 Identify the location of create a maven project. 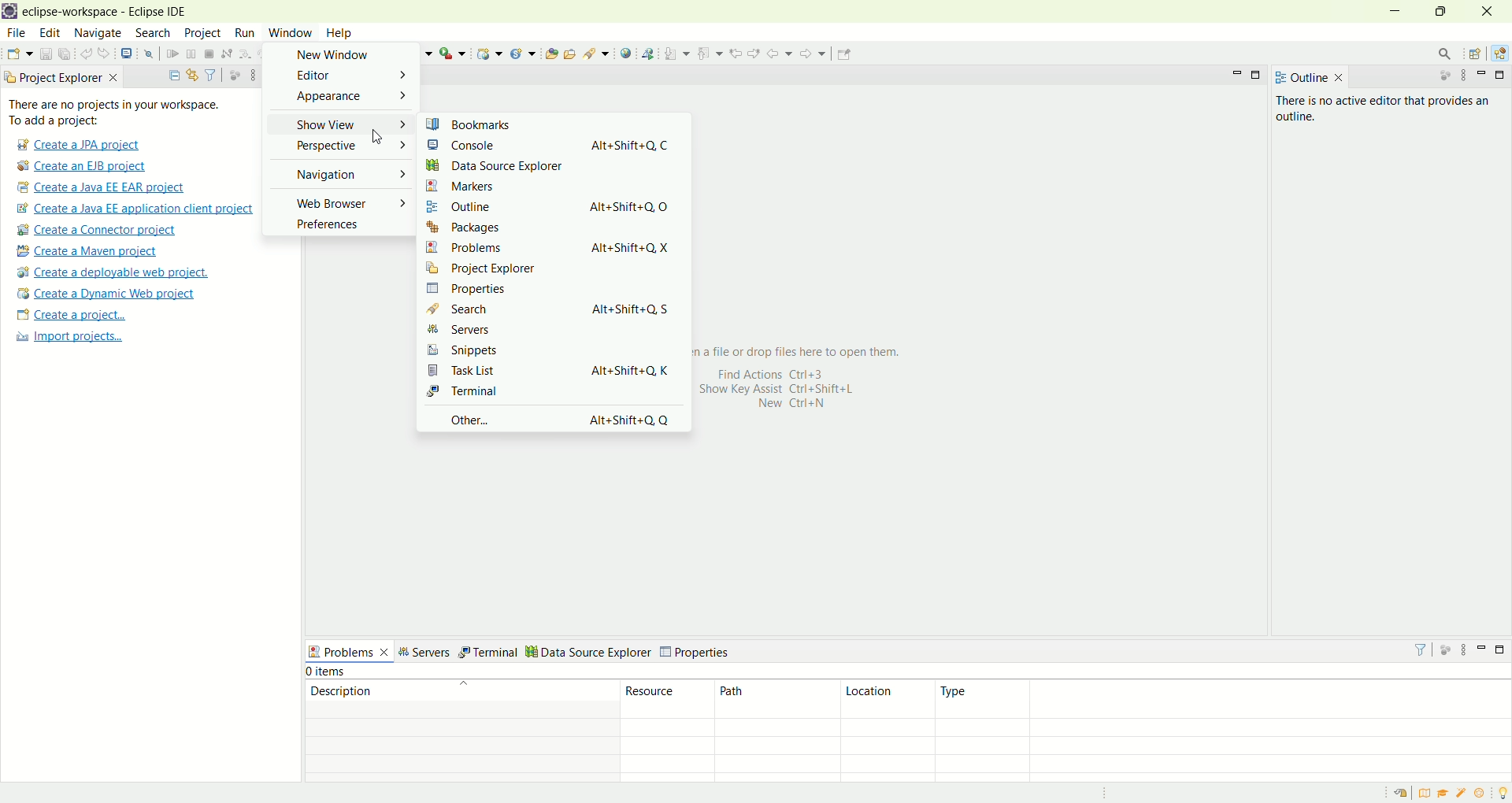
(93, 250).